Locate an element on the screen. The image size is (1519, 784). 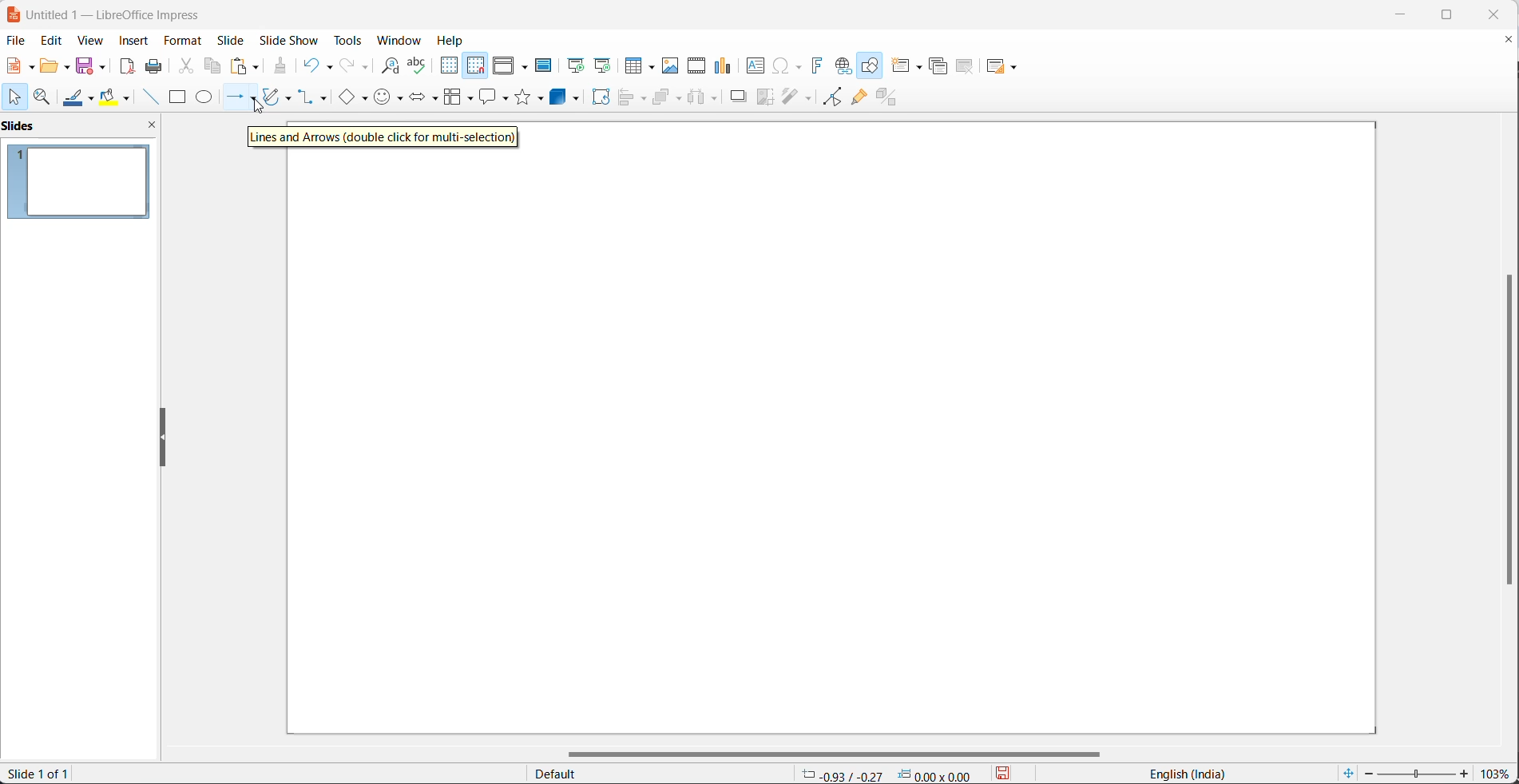
line is located at coordinates (147, 97).